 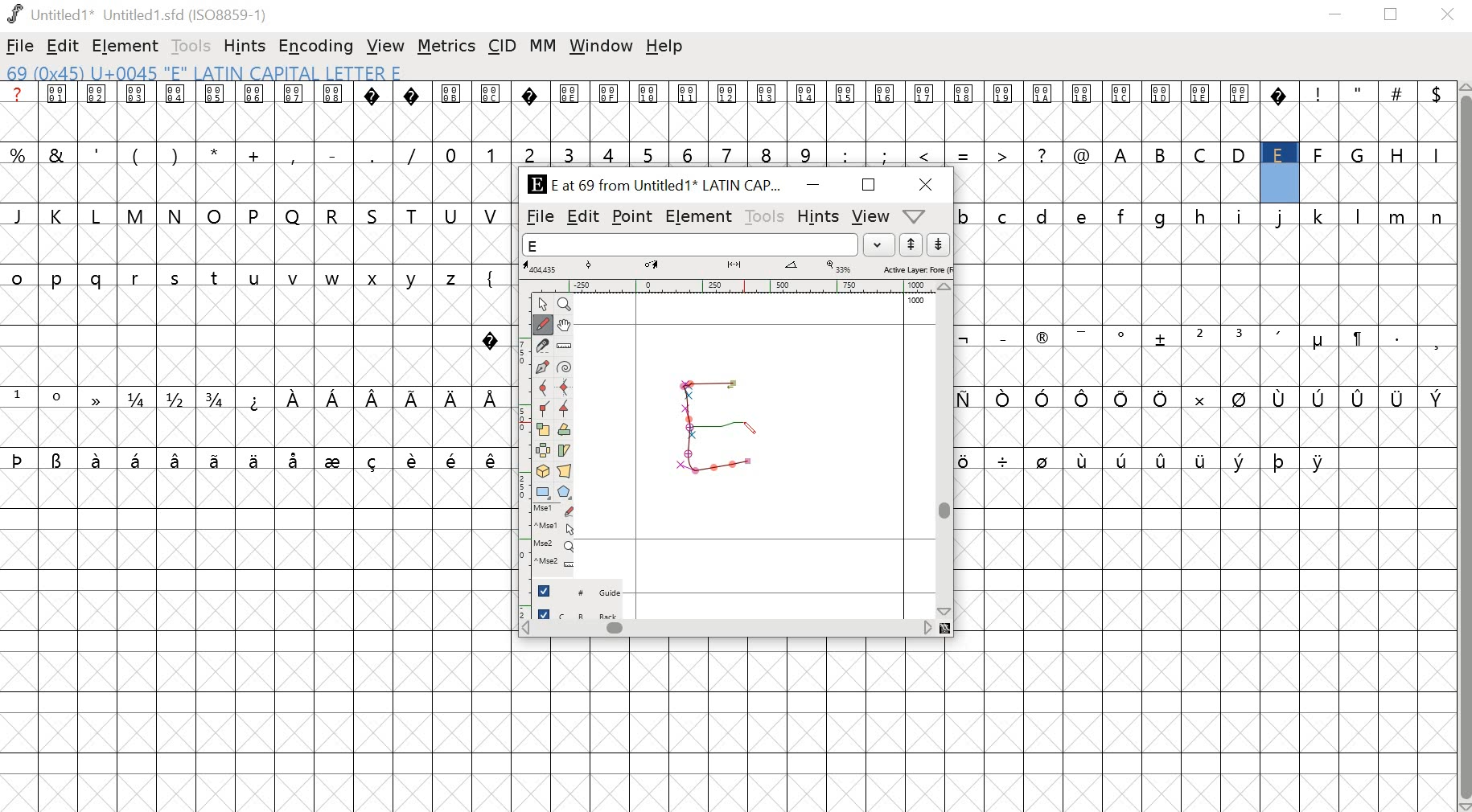 I want to click on empty cells, so click(x=726, y=122).